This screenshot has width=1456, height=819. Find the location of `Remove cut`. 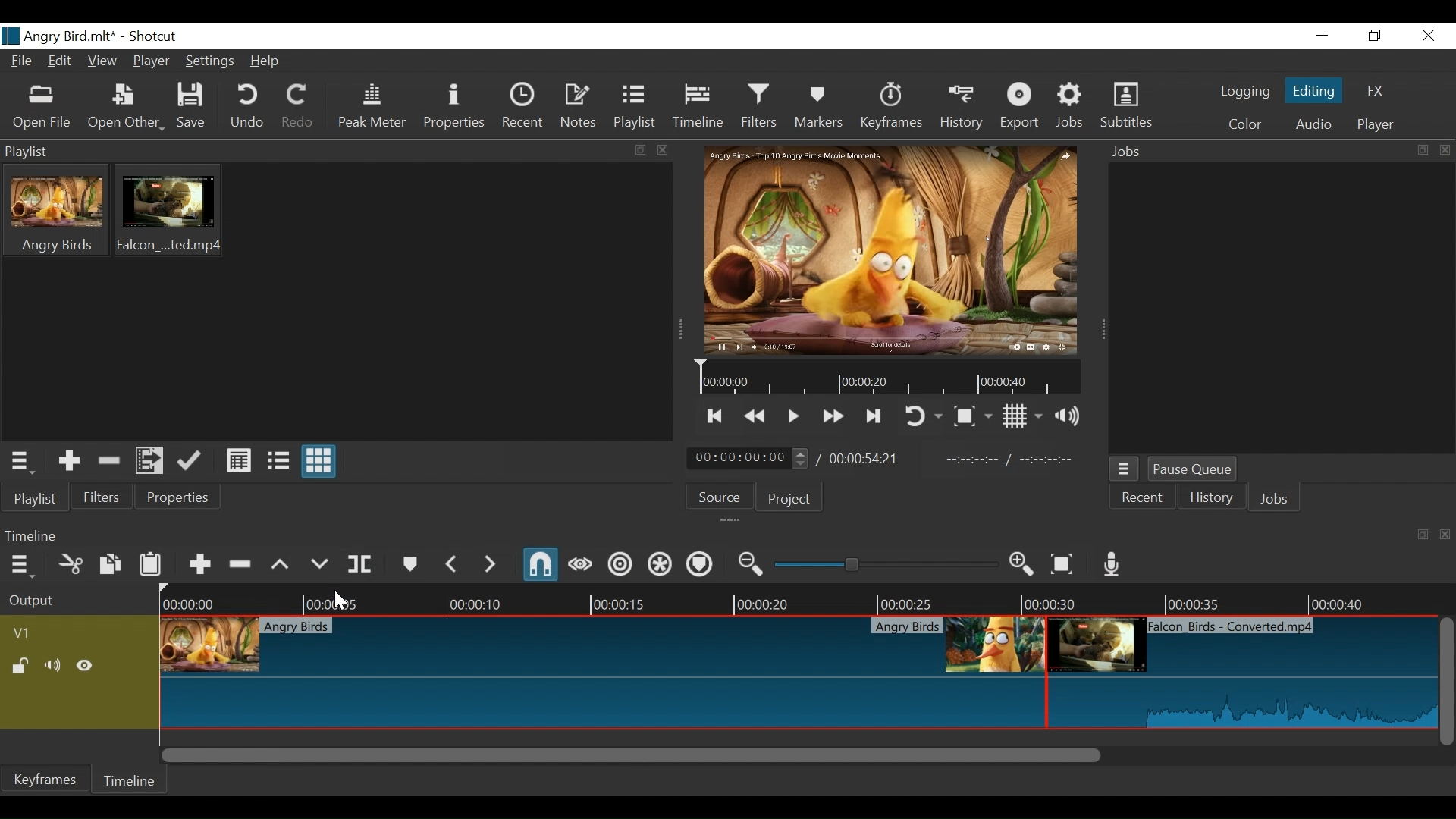

Remove cut is located at coordinates (110, 460).